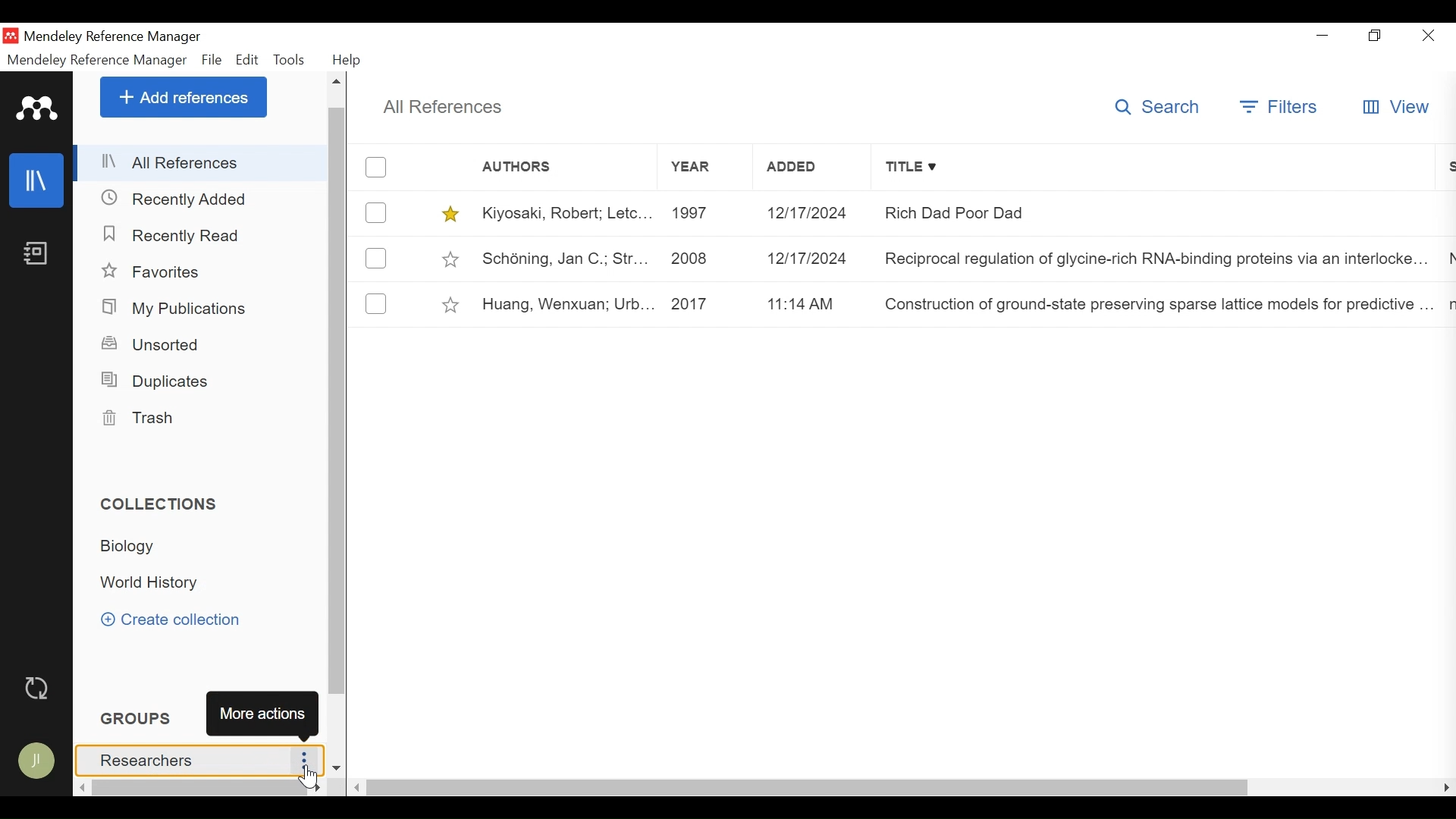 The width and height of the screenshot is (1456, 819). What do you see at coordinates (158, 502) in the screenshot?
I see `Collections` at bounding box center [158, 502].